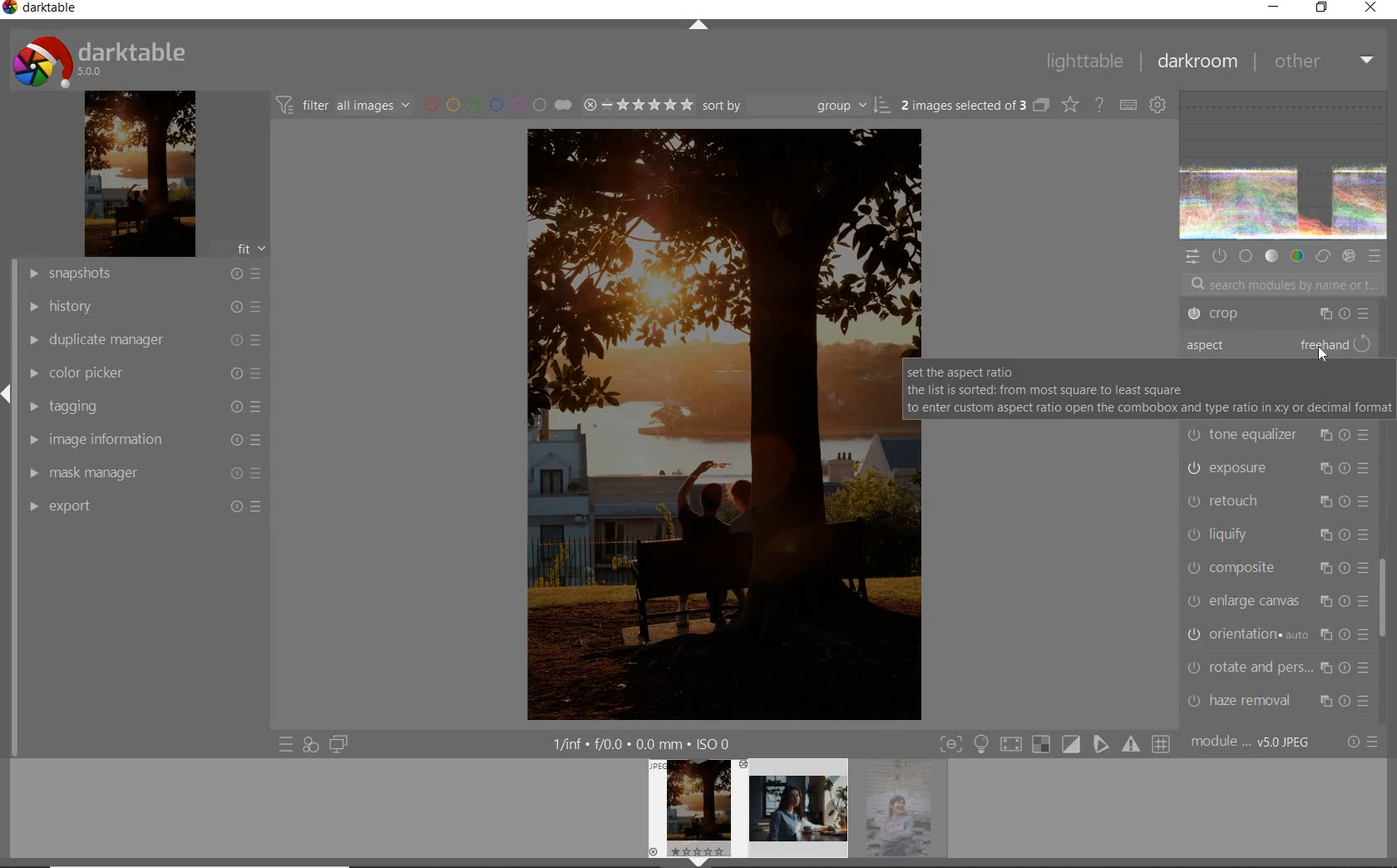 This screenshot has width=1397, height=868. Describe the element at coordinates (1283, 167) in the screenshot. I see `waveform` at that location.